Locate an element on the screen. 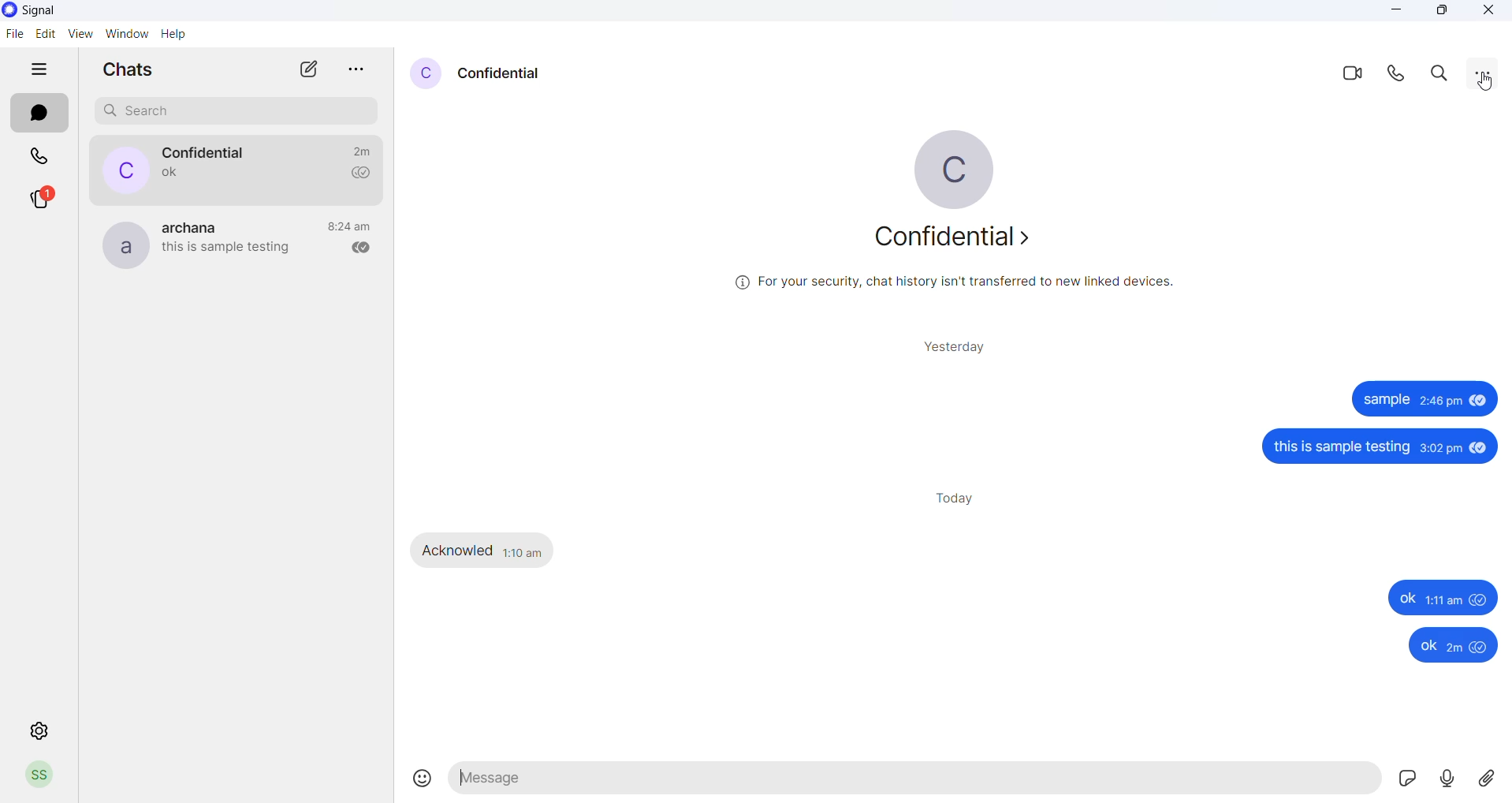  profile picture is located at coordinates (121, 243).